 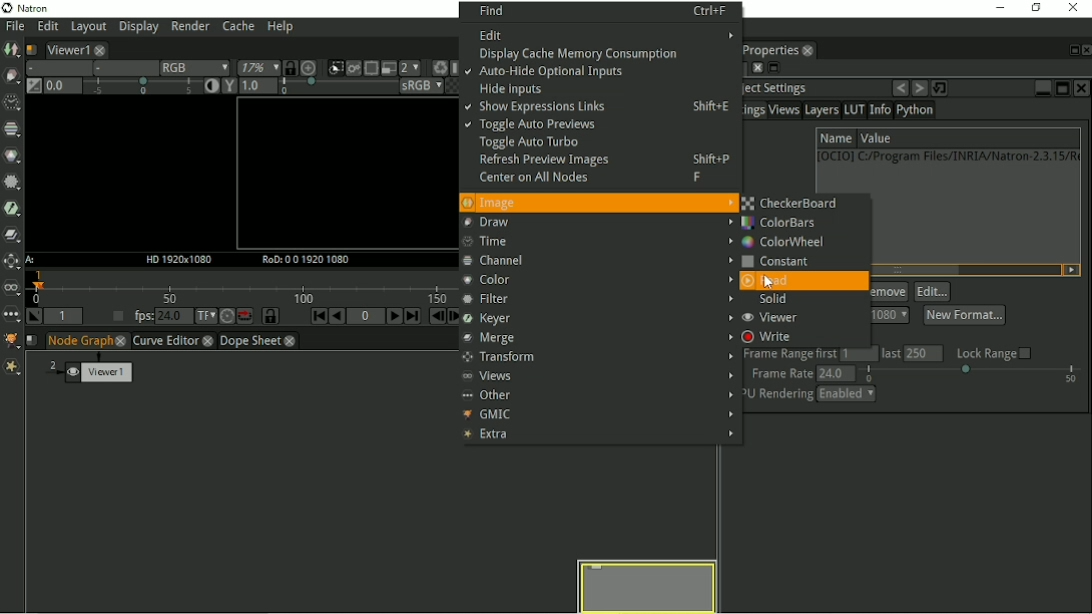 I want to click on Preview, so click(x=648, y=585).